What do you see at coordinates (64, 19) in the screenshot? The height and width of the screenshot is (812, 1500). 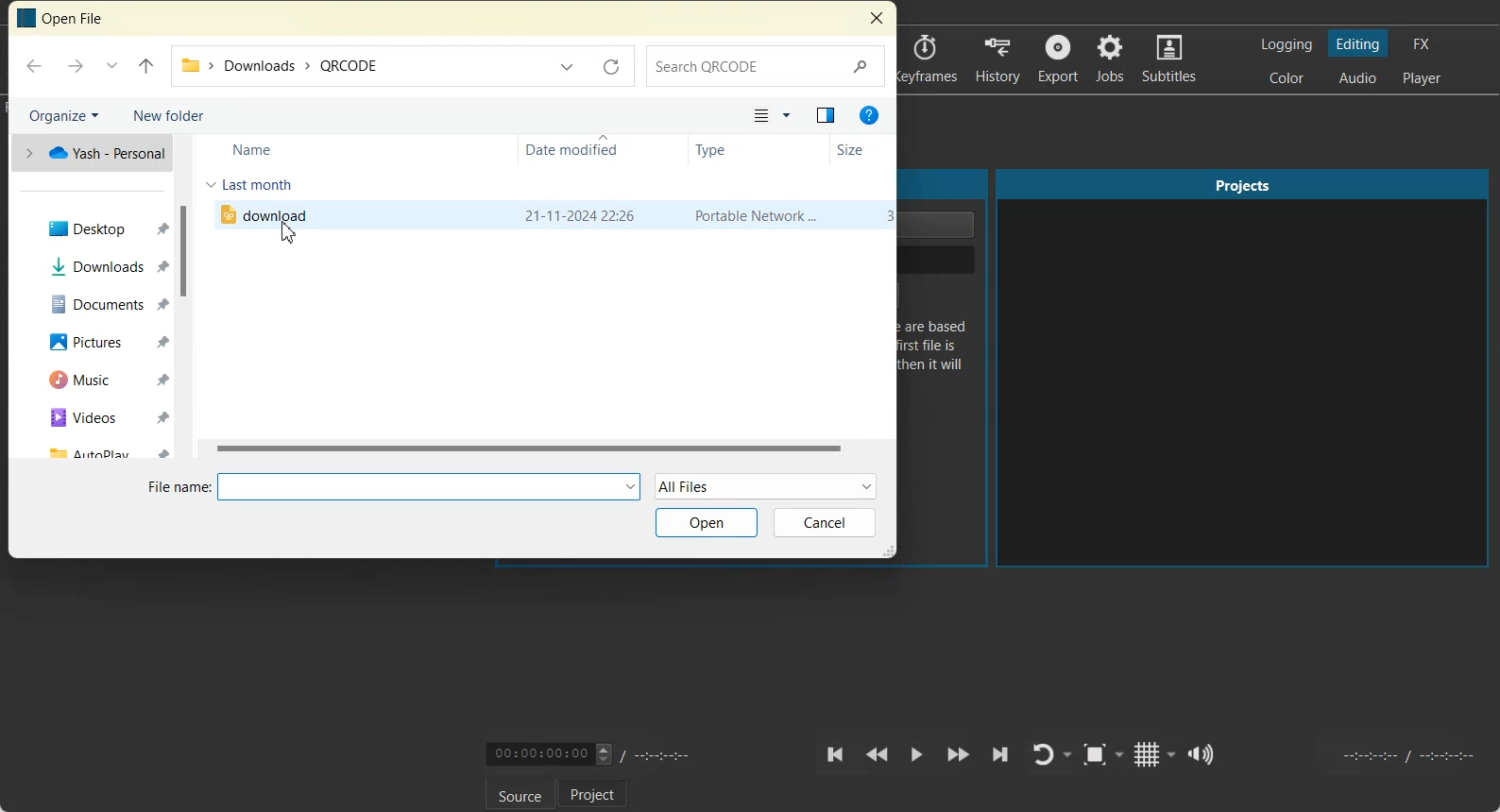 I see `Text` at bounding box center [64, 19].